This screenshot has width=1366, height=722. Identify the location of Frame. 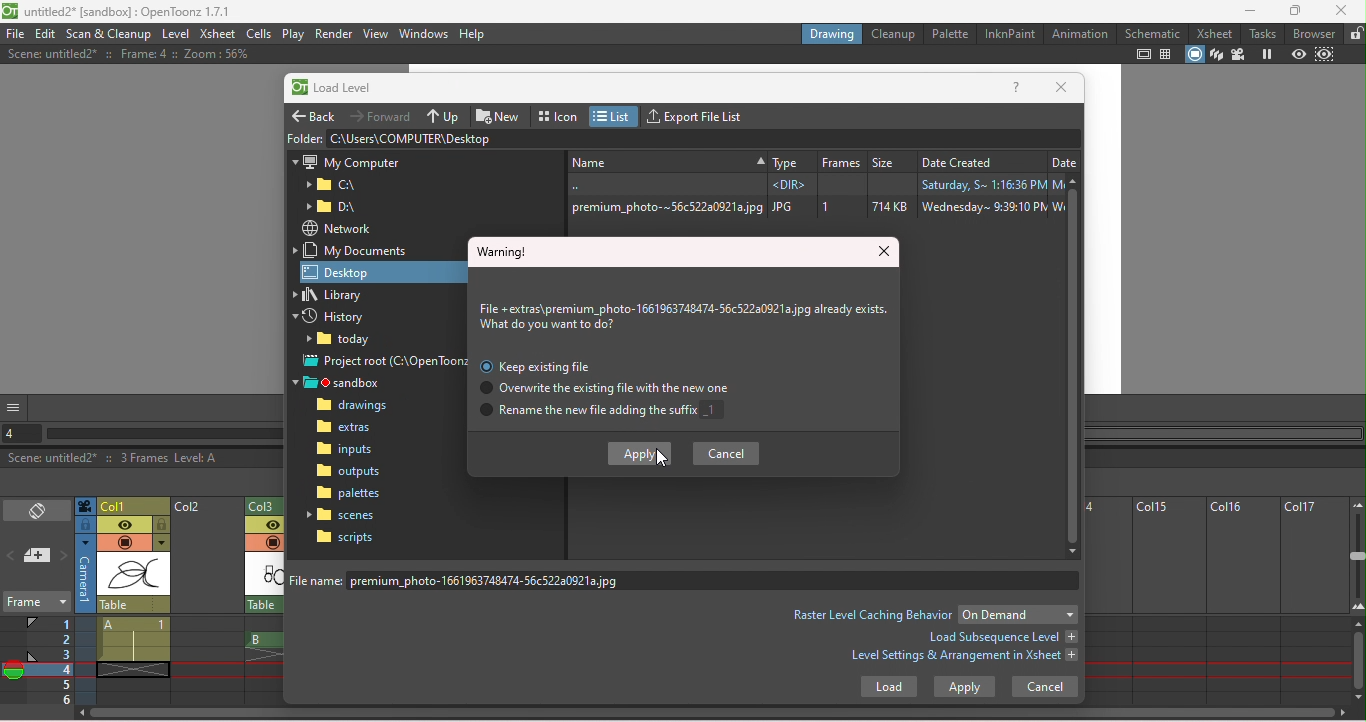
(35, 604).